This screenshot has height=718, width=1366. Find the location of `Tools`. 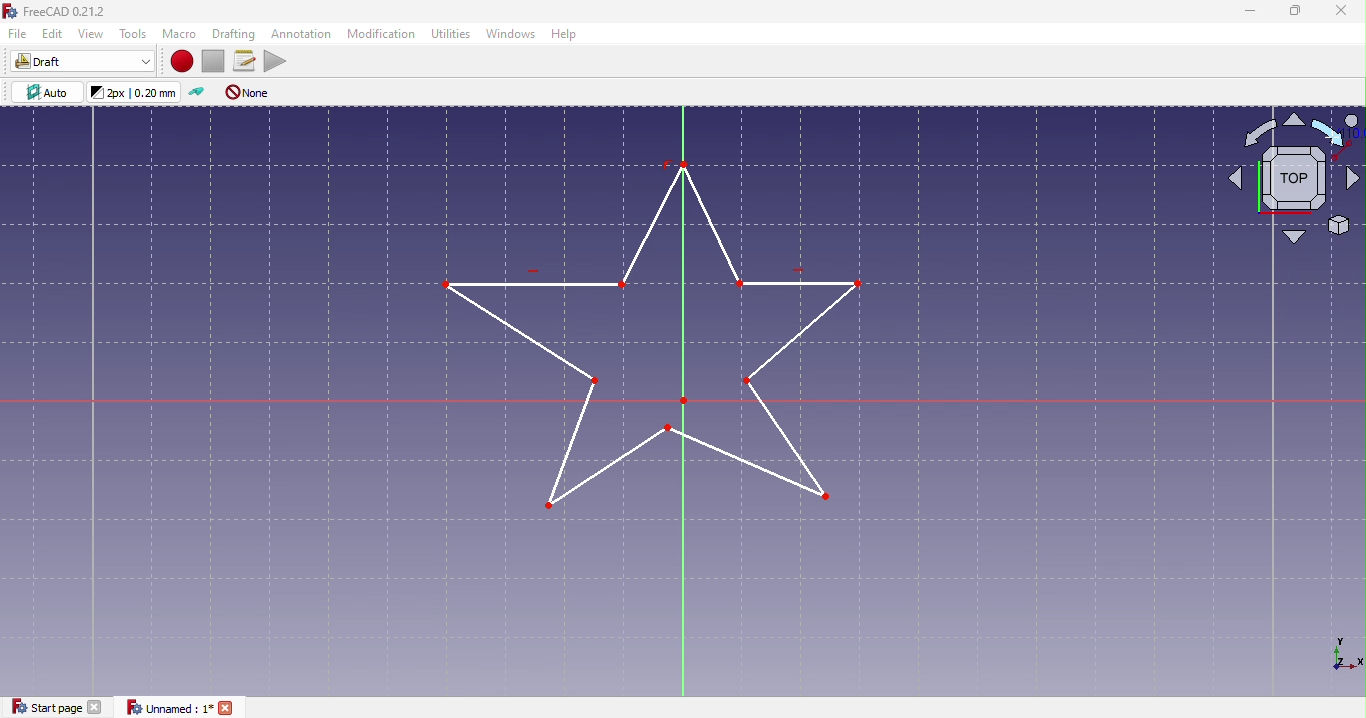

Tools is located at coordinates (136, 32).